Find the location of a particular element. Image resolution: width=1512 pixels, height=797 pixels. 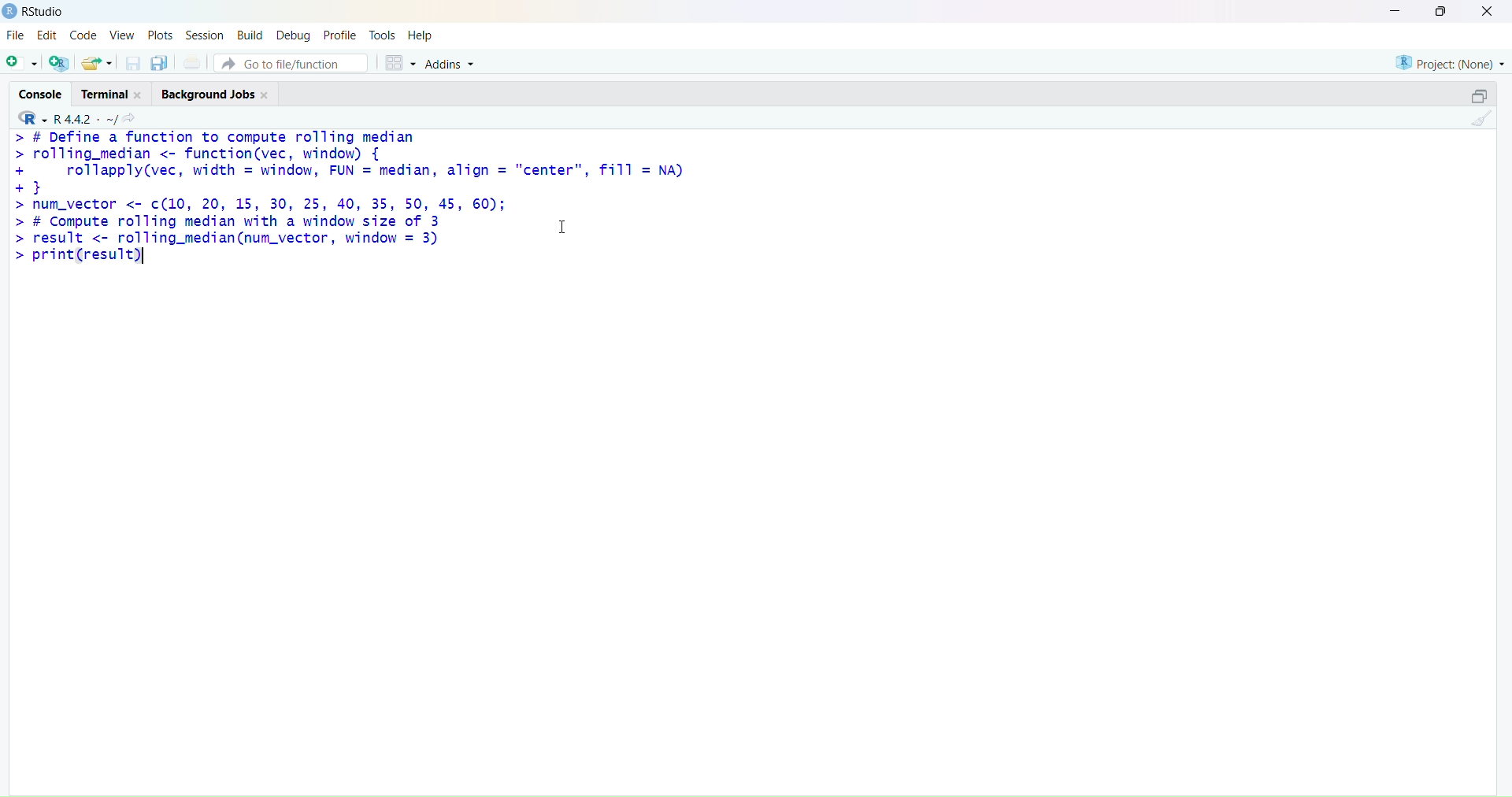

profile is located at coordinates (339, 35).